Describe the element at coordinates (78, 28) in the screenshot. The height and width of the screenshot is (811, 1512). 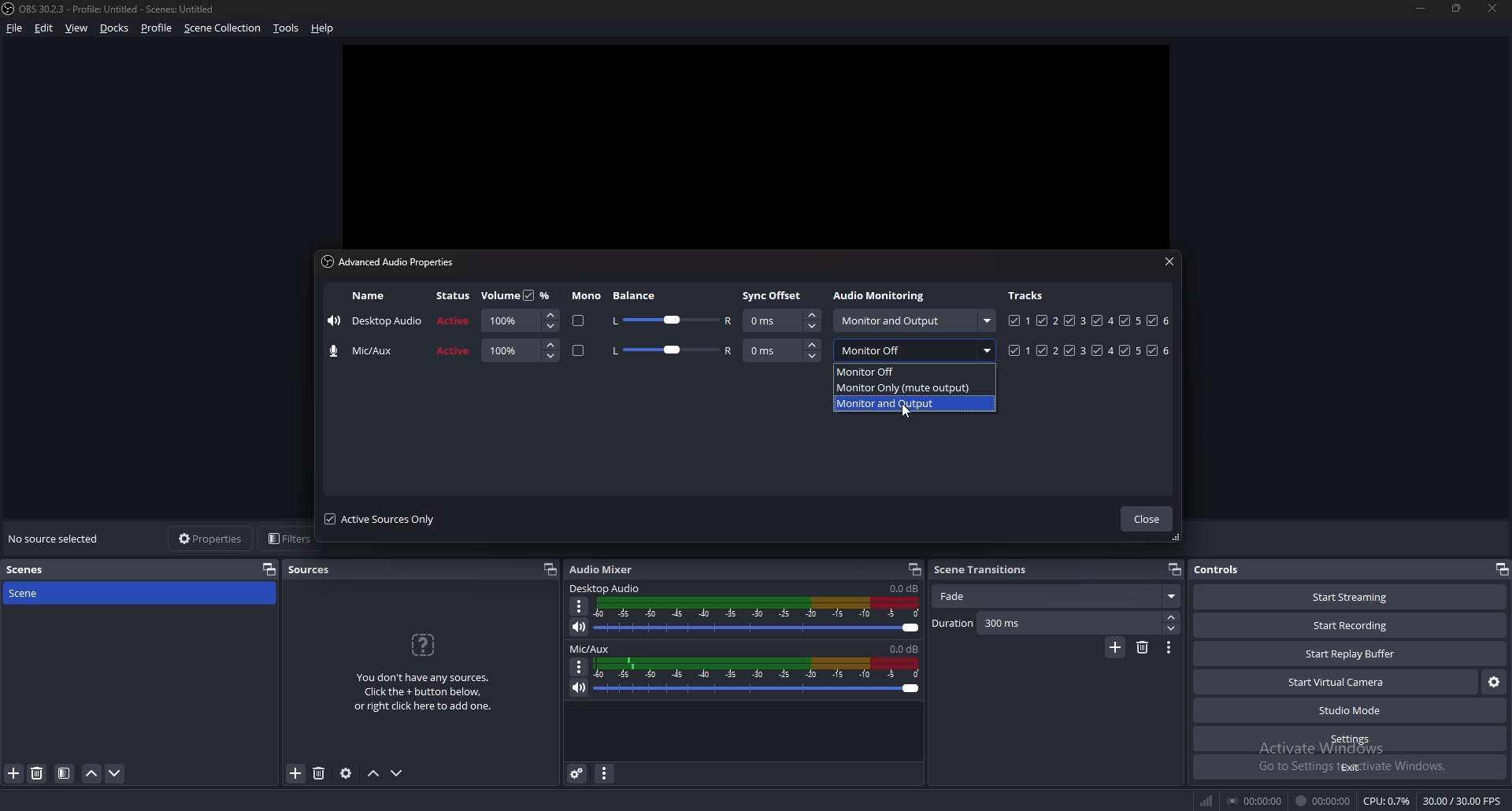
I see `view` at that location.